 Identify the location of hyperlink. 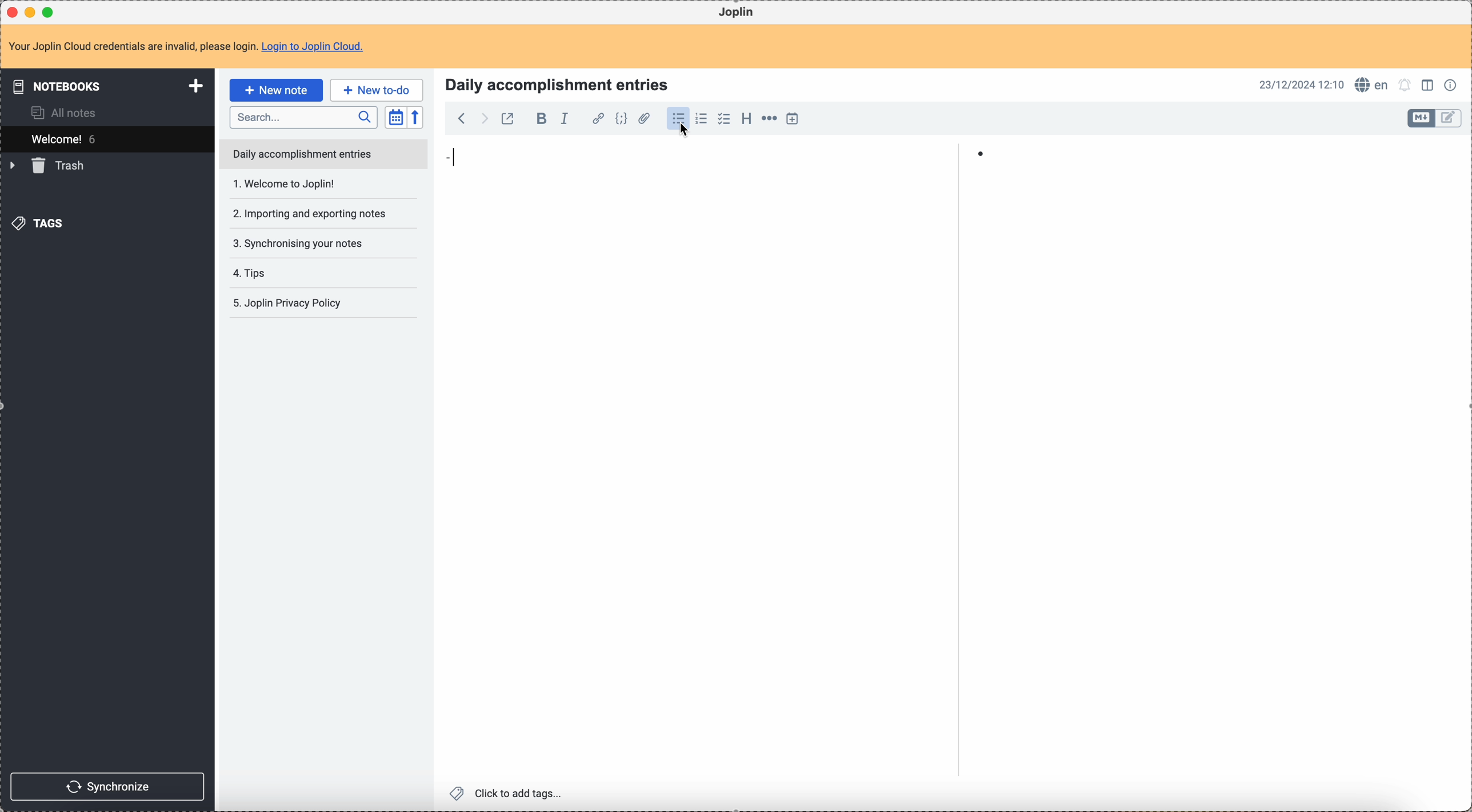
(598, 119).